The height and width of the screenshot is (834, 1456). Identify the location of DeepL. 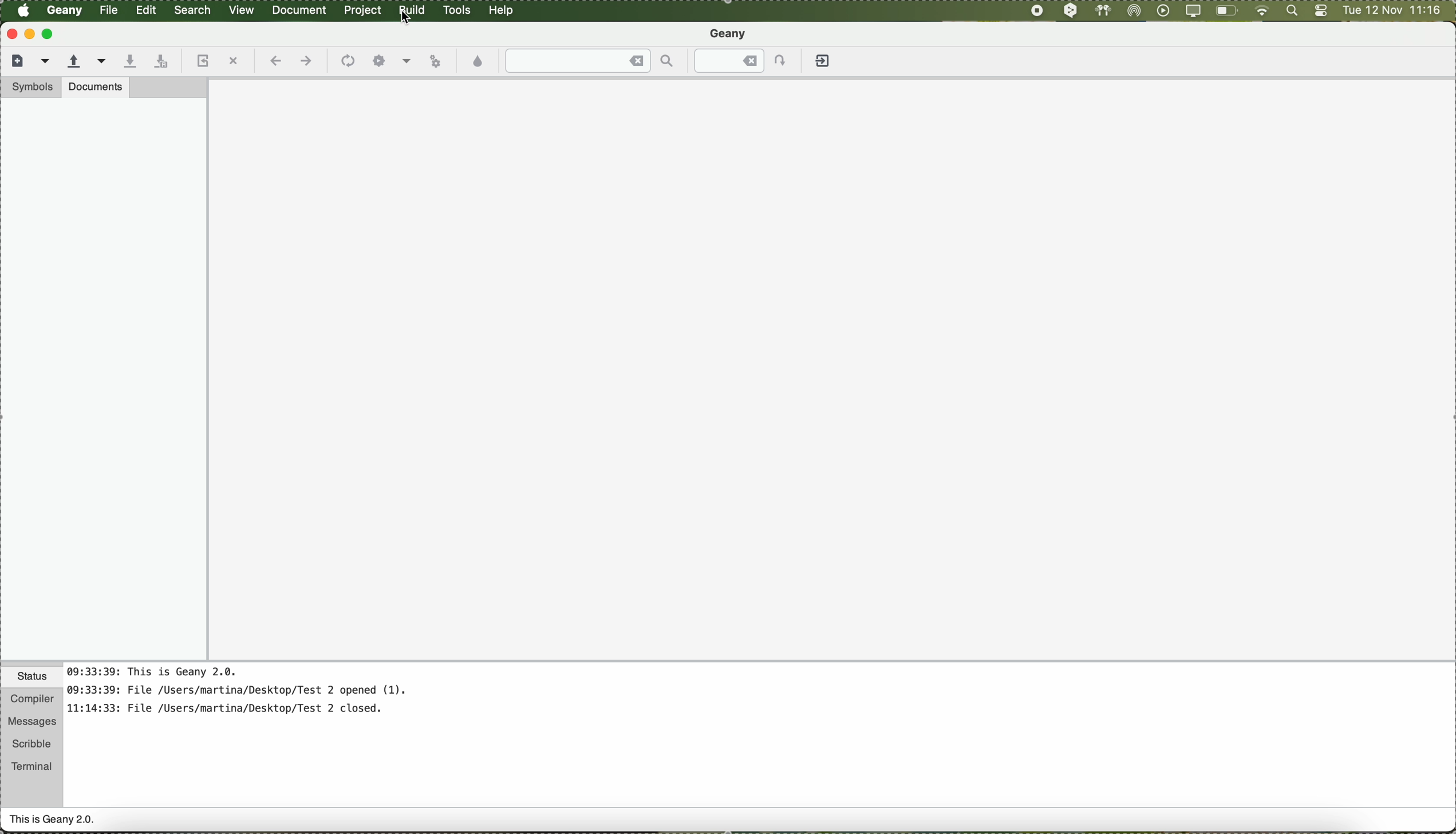
(1071, 11).